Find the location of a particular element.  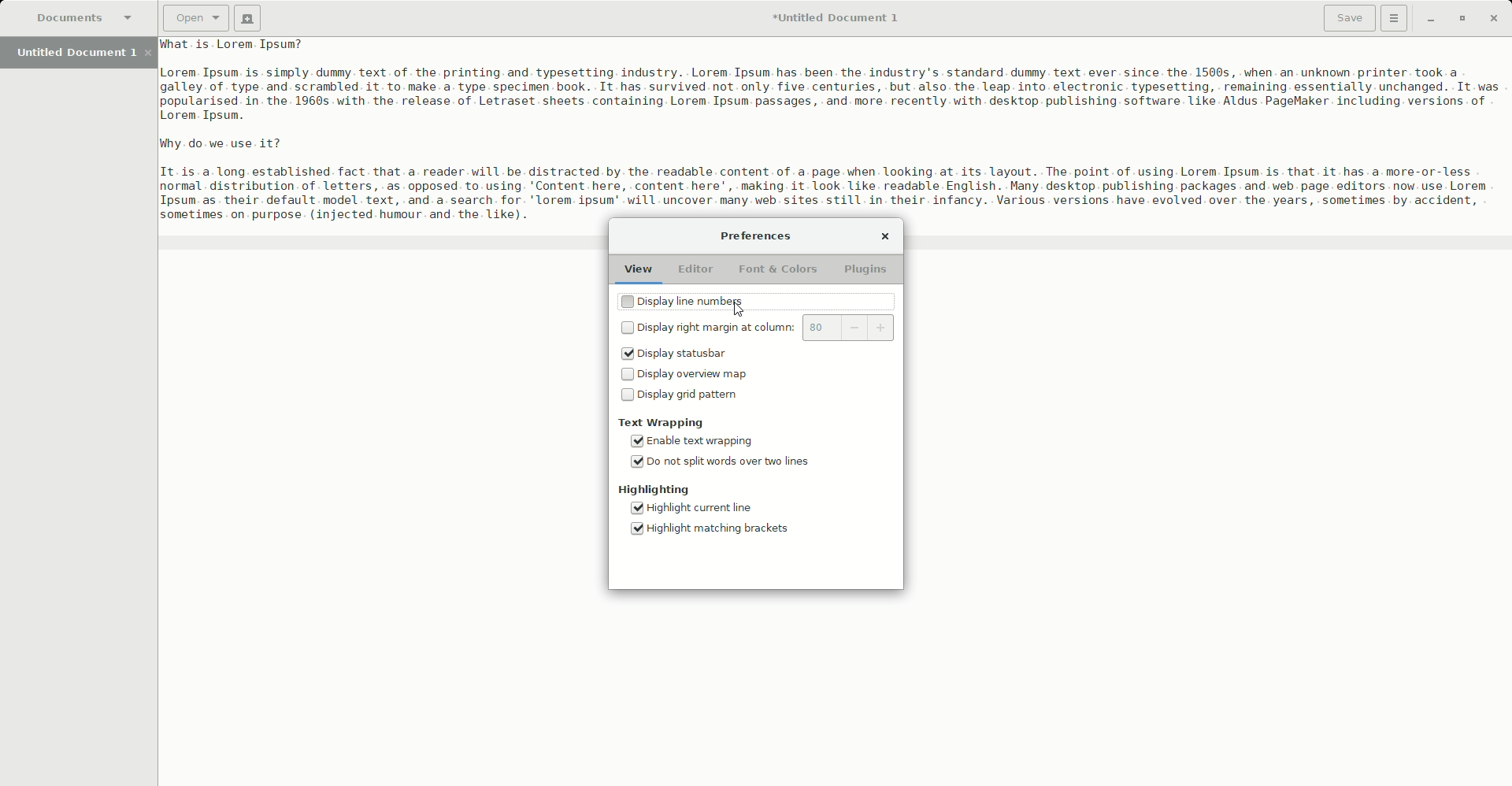

Plugins is located at coordinates (868, 269).